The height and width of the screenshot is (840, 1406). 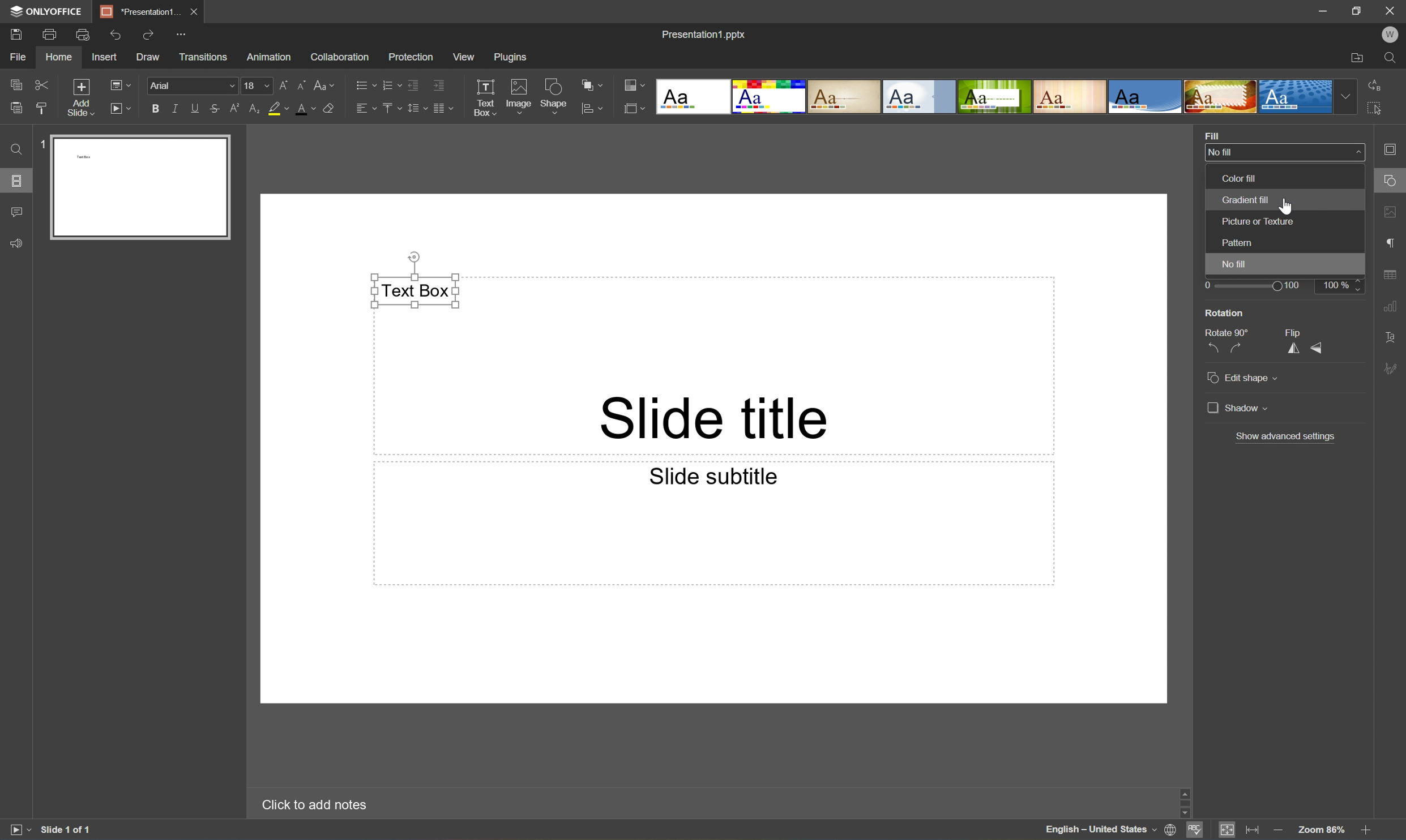 I want to click on Change color theme, so click(x=632, y=83).